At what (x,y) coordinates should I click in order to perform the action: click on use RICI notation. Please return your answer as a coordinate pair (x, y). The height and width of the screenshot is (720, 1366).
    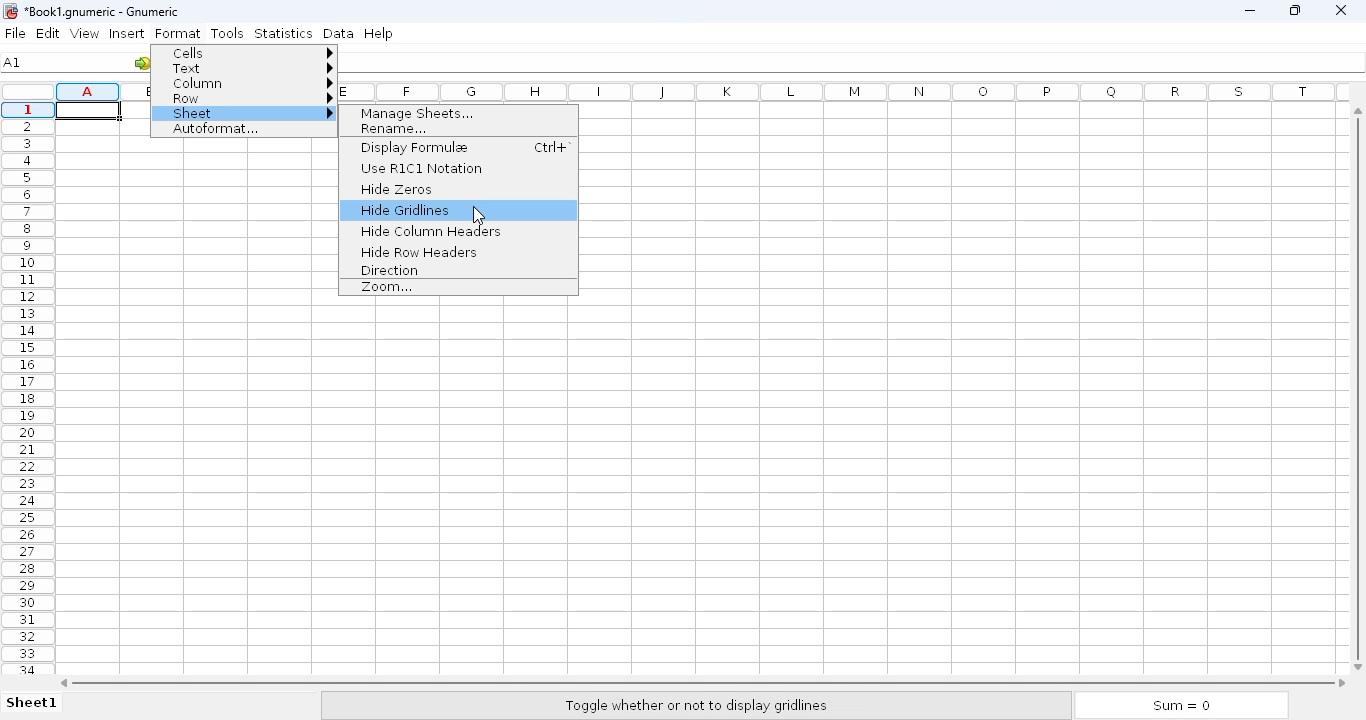
    Looking at the image, I should click on (421, 168).